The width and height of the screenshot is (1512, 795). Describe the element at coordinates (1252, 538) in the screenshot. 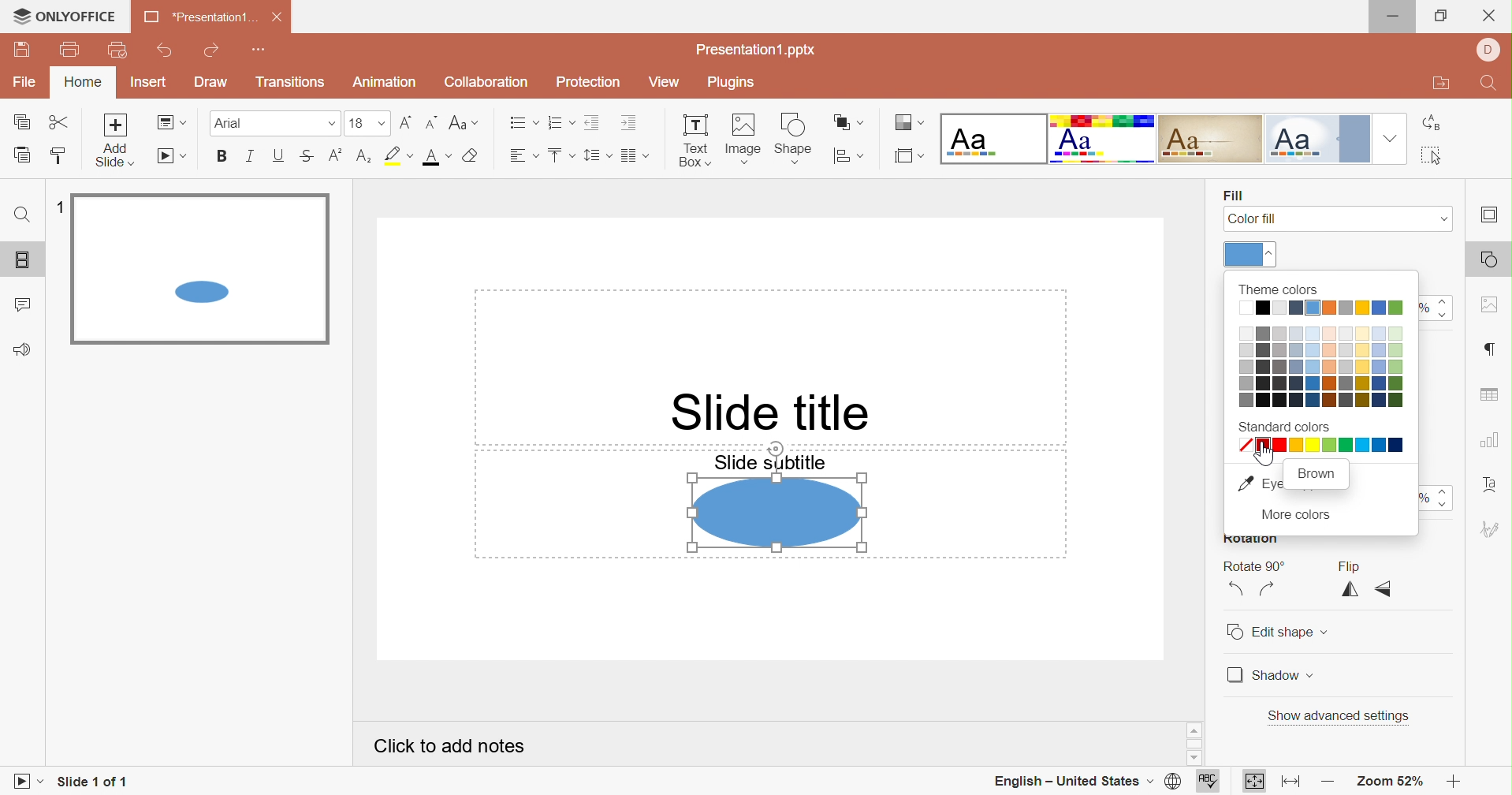

I see `Rotation` at that location.